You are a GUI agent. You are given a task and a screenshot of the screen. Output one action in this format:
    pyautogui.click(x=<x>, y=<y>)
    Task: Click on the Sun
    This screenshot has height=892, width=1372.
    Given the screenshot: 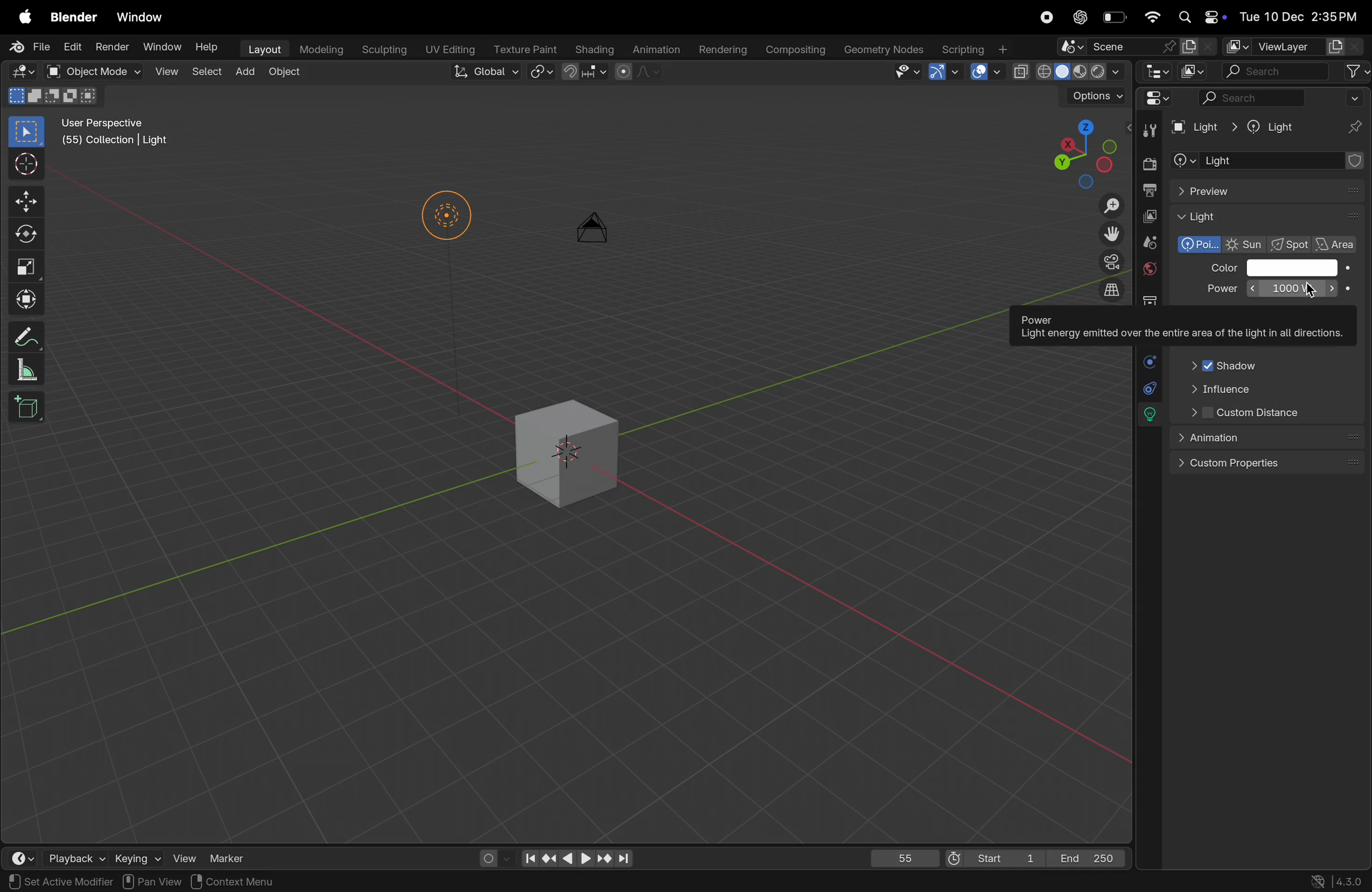 What is the action you would take?
    pyautogui.click(x=1246, y=245)
    